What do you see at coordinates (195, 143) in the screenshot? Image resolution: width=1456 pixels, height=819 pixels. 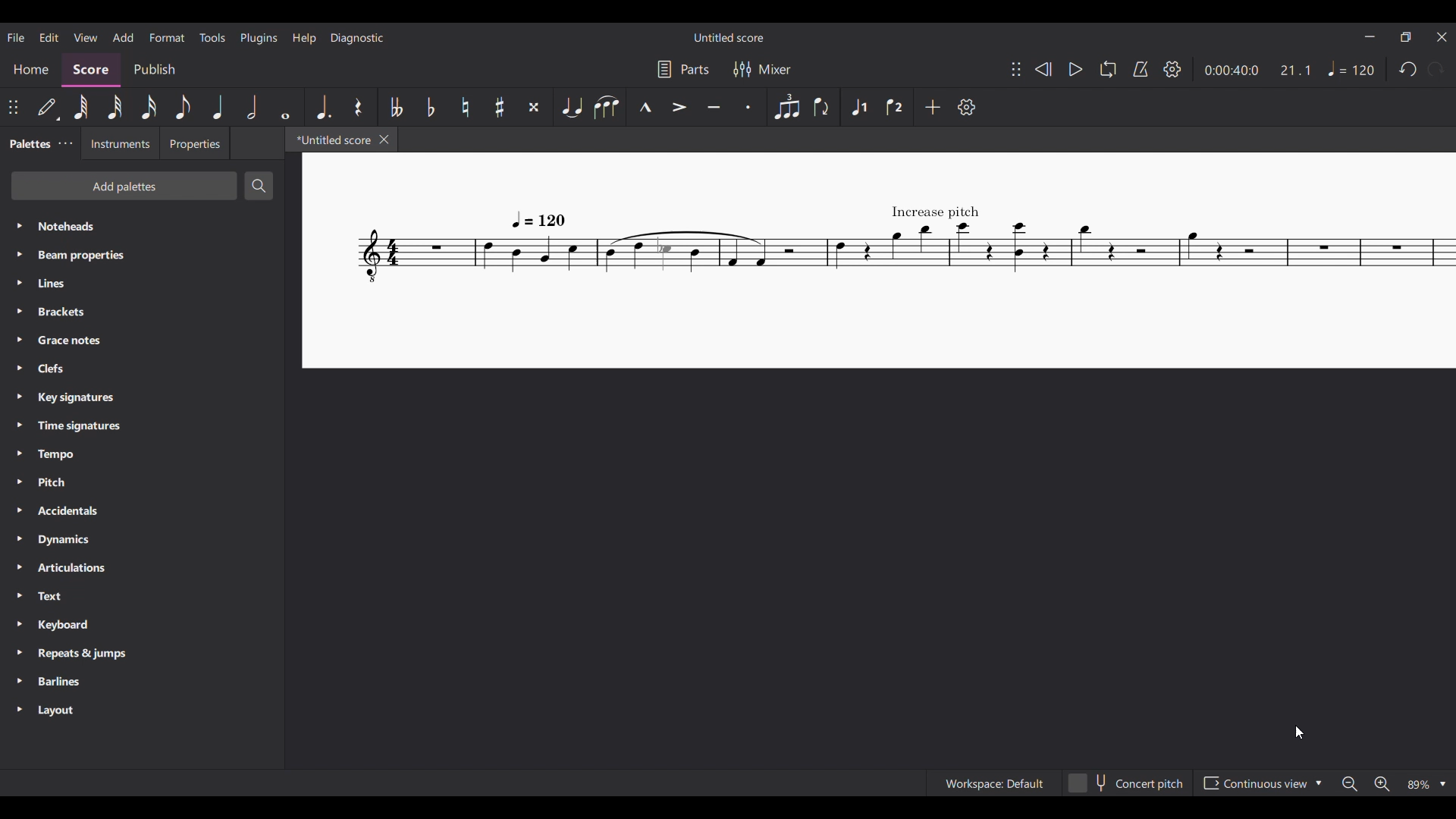 I see `Properties` at bounding box center [195, 143].